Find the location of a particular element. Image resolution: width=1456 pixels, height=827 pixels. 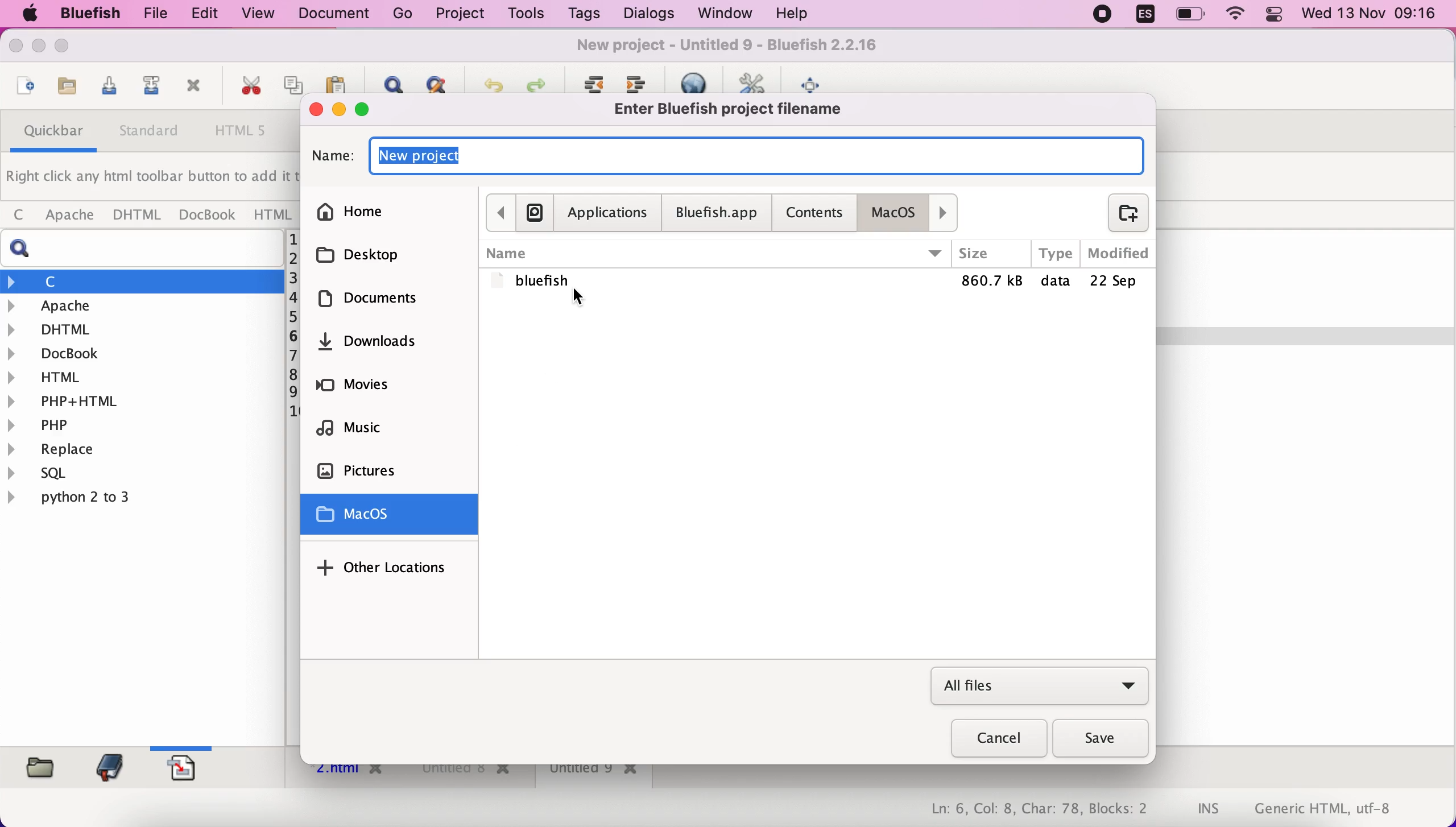

forward is located at coordinates (946, 212).